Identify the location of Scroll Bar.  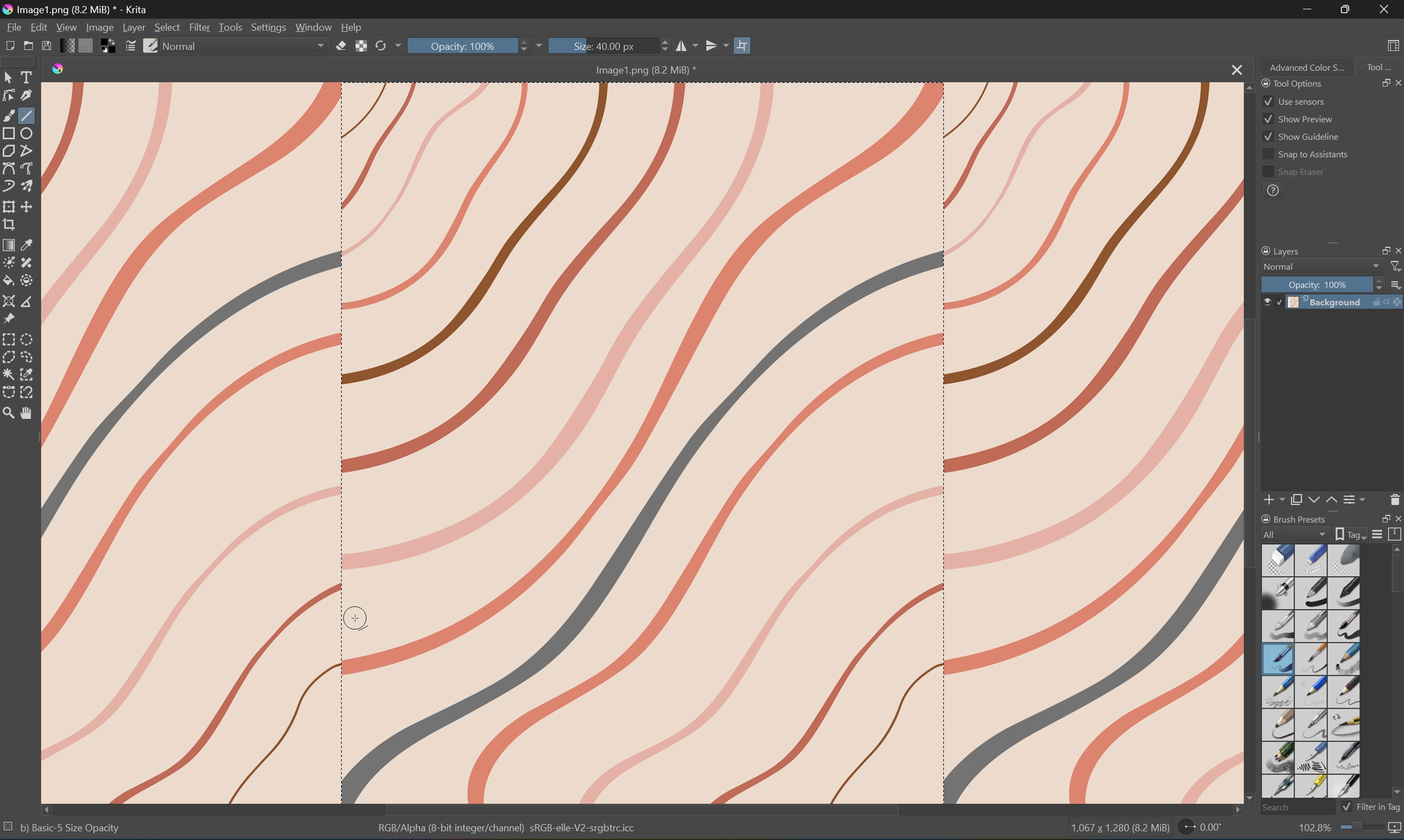
(643, 809).